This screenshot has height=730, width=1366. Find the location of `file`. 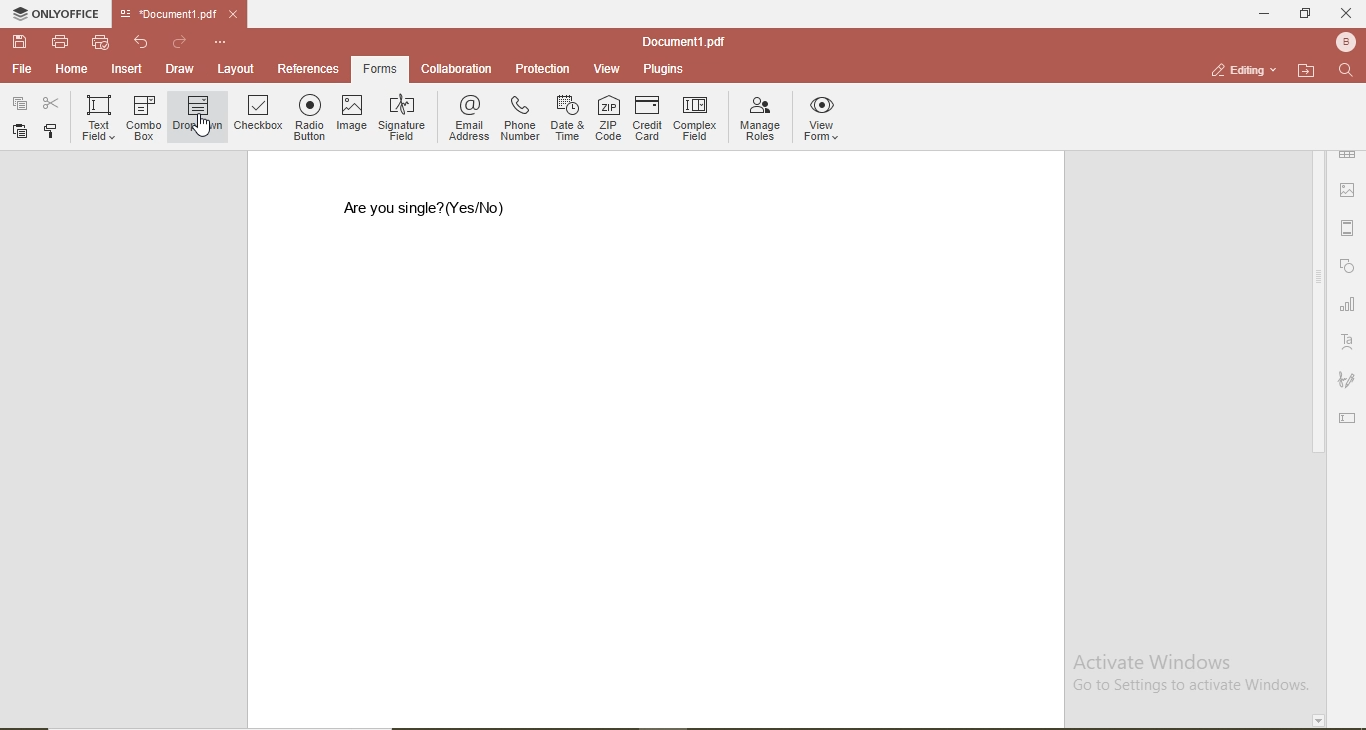

file is located at coordinates (23, 70).